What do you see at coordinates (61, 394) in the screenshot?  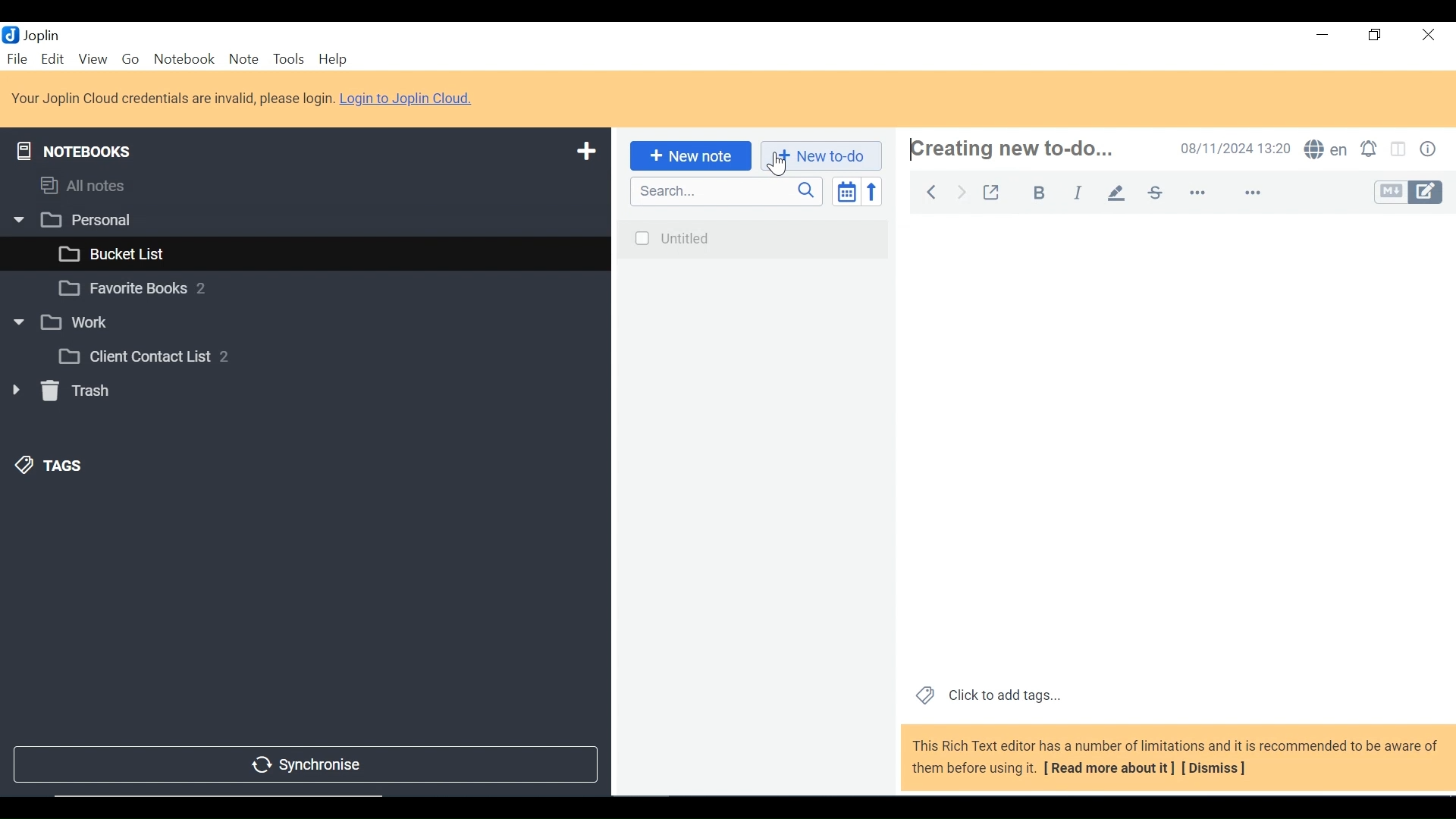 I see `Trash` at bounding box center [61, 394].